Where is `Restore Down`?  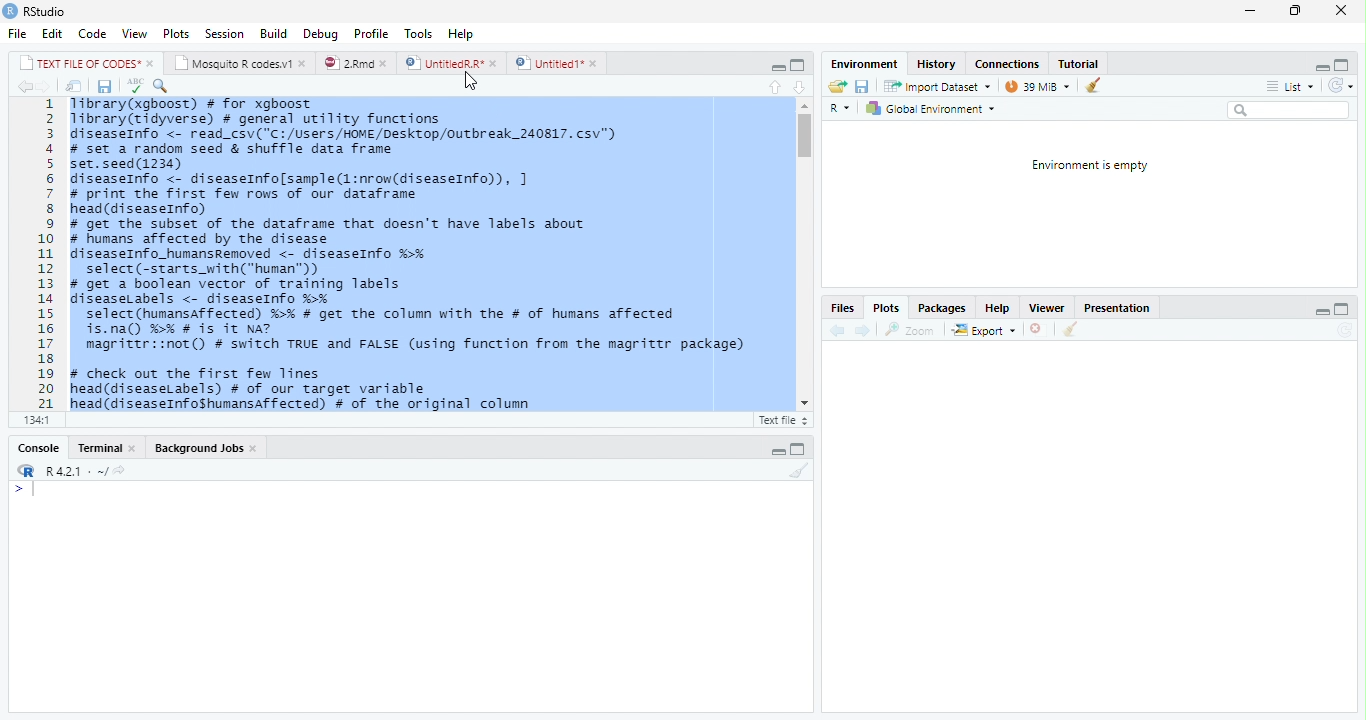
Restore Down is located at coordinates (1294, 11).